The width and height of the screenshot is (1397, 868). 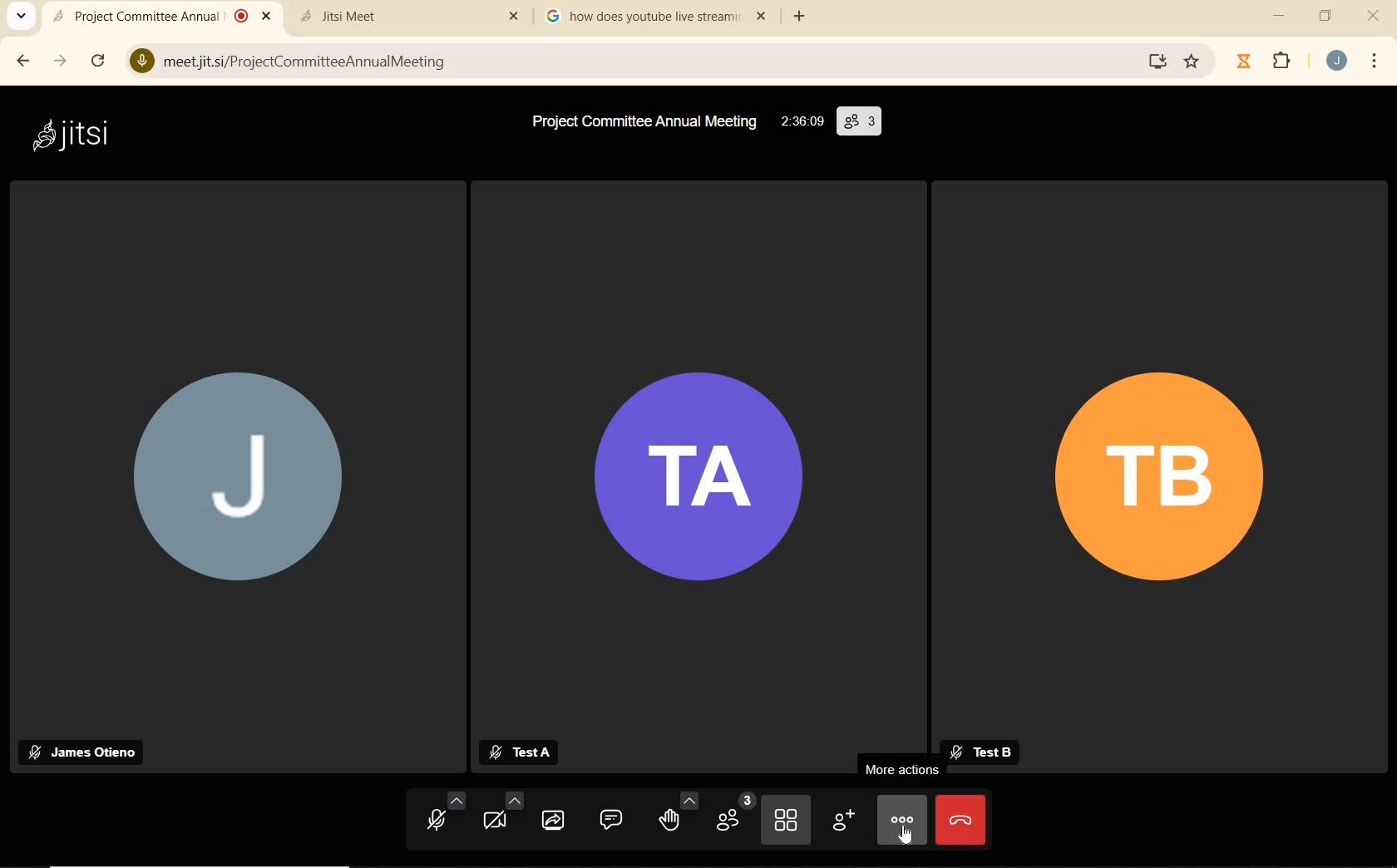 I want to click on PARTICIPANTS, so click(x=737, y=816).